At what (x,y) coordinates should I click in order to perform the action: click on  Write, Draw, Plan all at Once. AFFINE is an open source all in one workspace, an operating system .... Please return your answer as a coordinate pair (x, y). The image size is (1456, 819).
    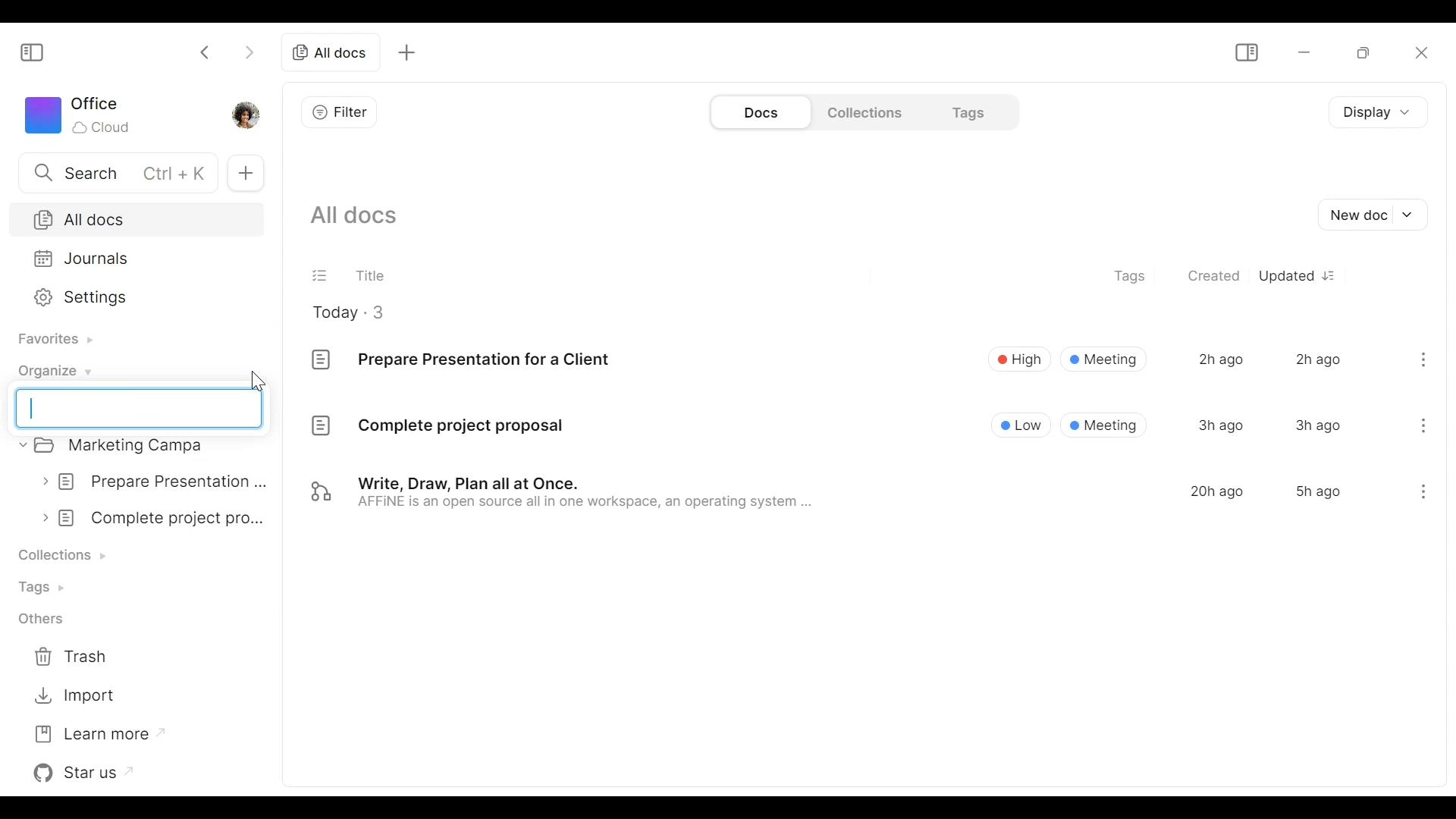
    Looking at the image, I should click on (563, 494).